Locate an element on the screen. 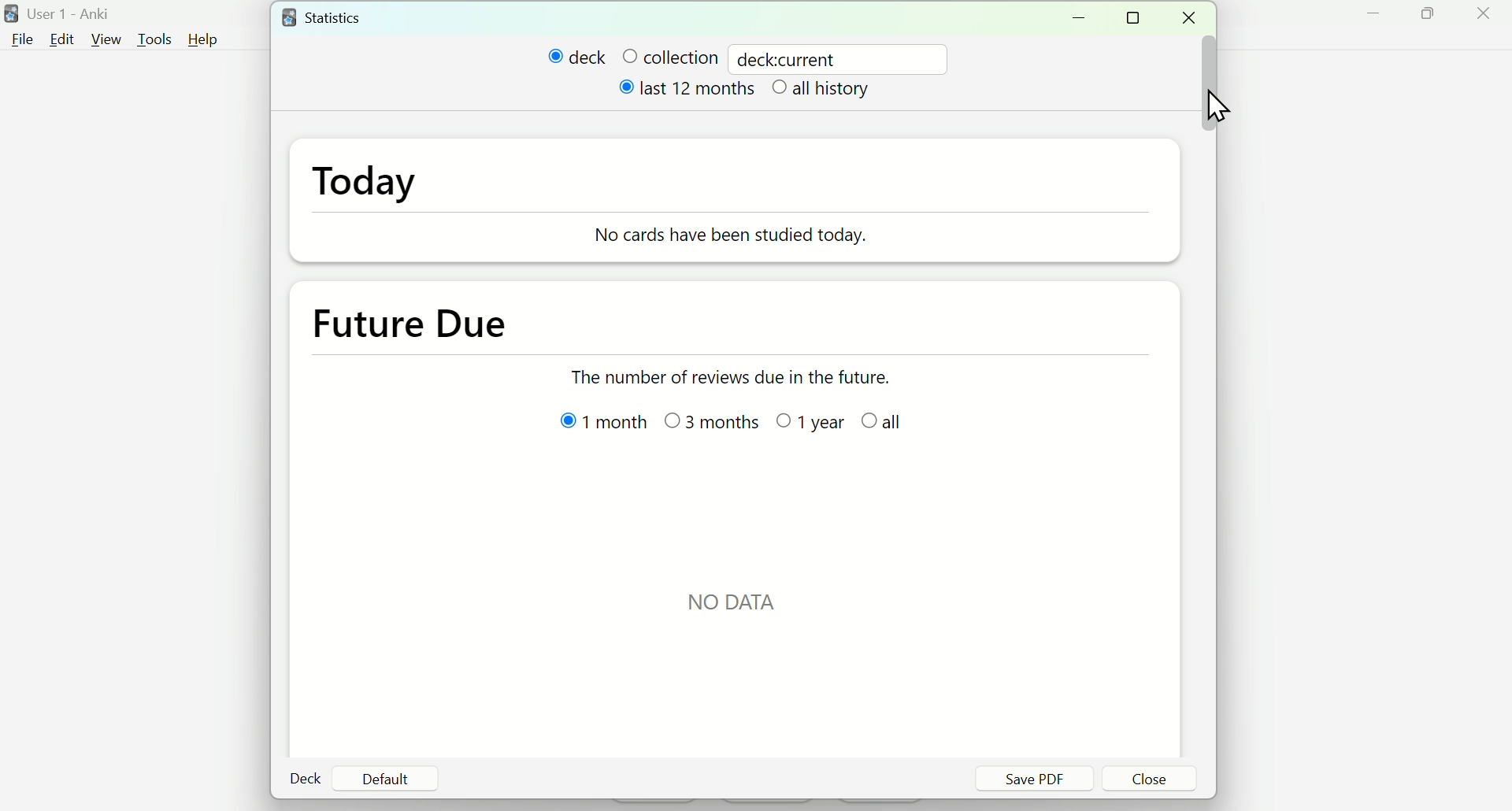 The height and width of the screenshot is (811, 1512). all history is located at coordinates (825, 91).